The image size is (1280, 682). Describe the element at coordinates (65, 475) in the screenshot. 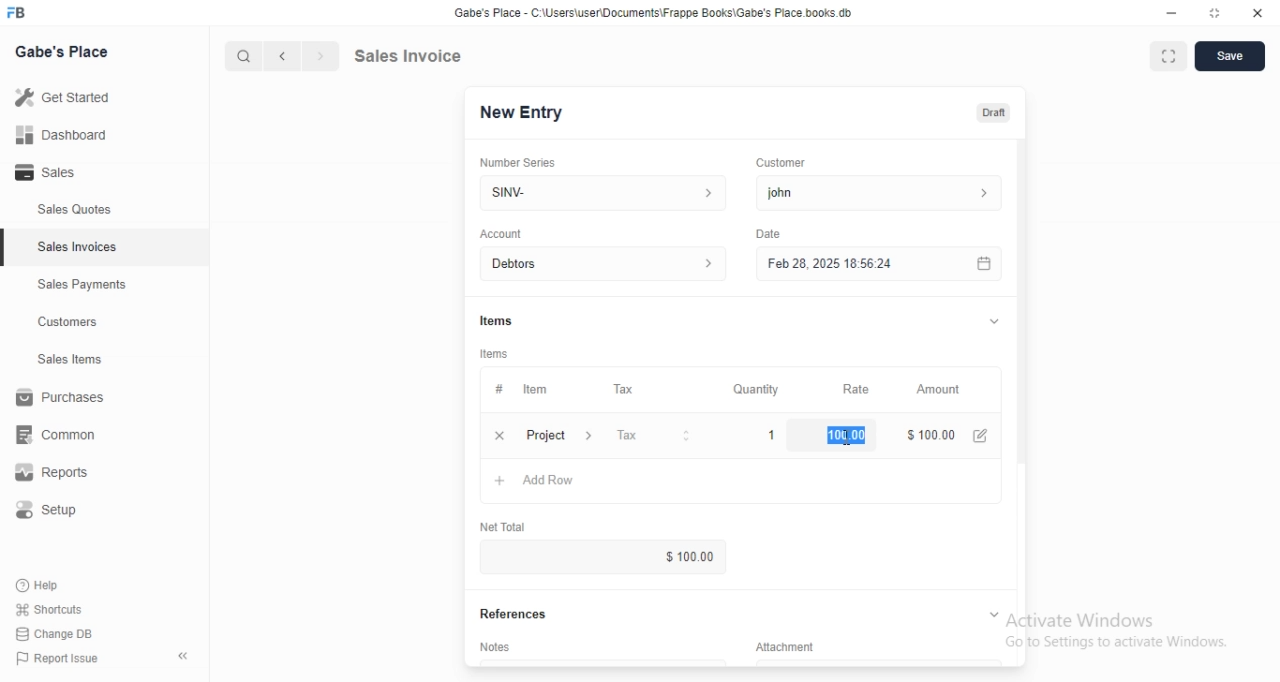

I see `Reports` at that location.